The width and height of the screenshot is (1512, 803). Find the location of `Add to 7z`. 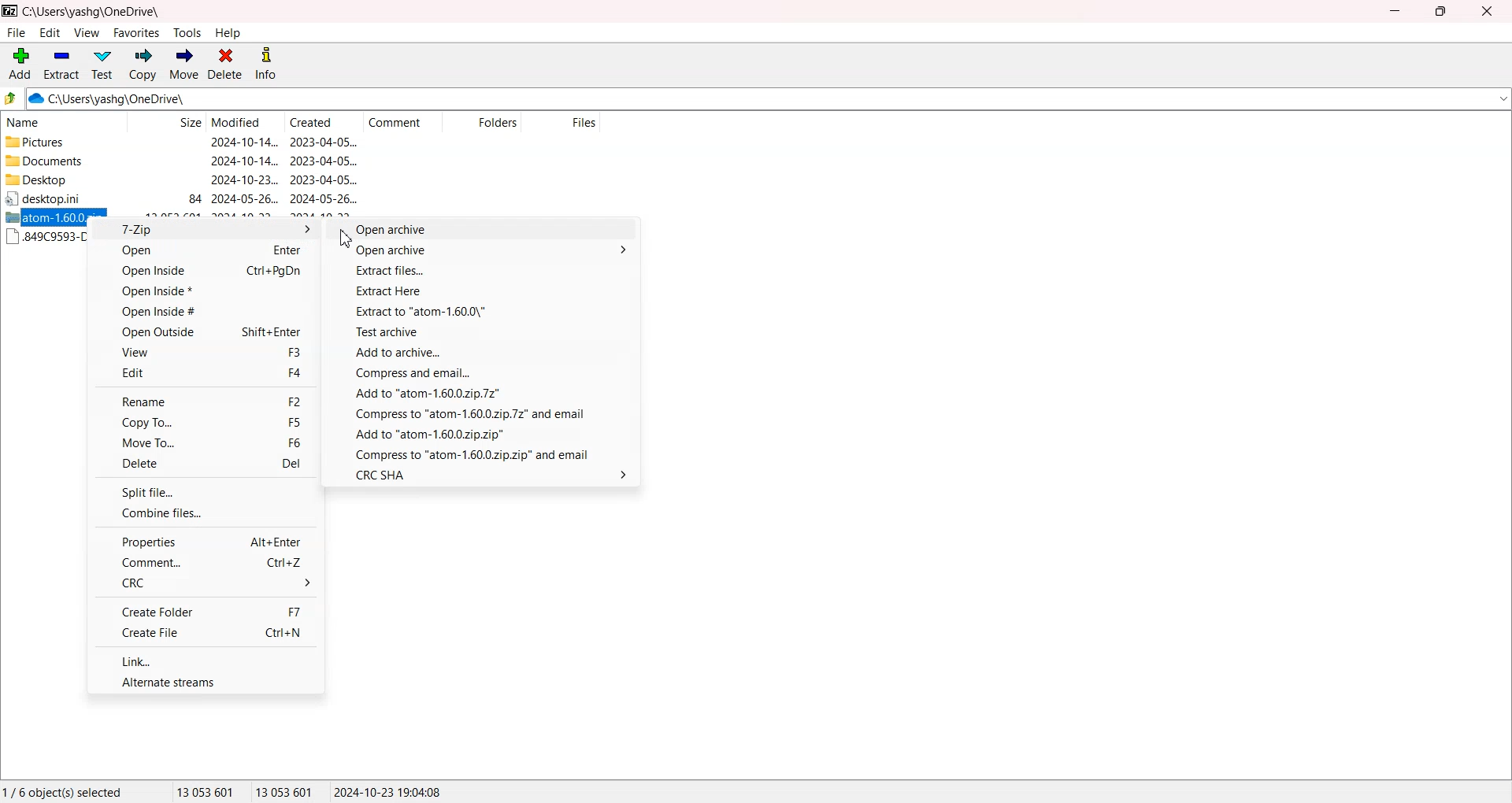

Add to 7z is located at coordinates (484, 394).